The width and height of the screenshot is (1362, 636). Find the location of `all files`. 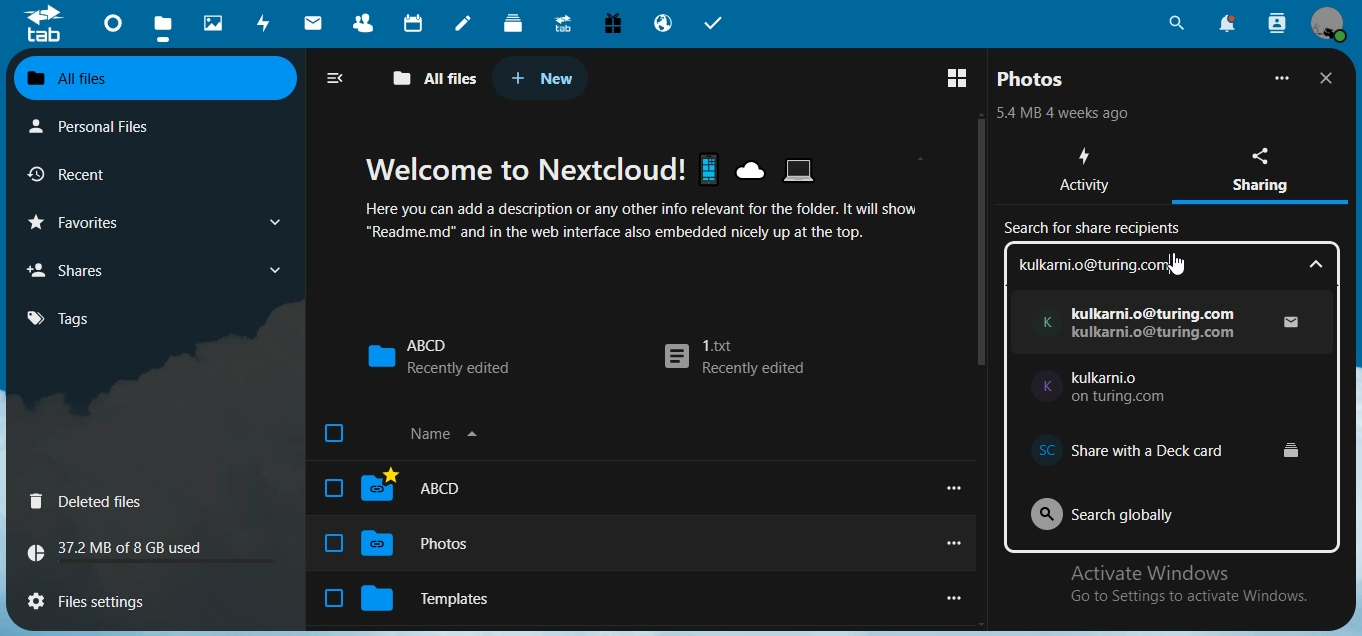

all files is located at coordinates (436, 79).